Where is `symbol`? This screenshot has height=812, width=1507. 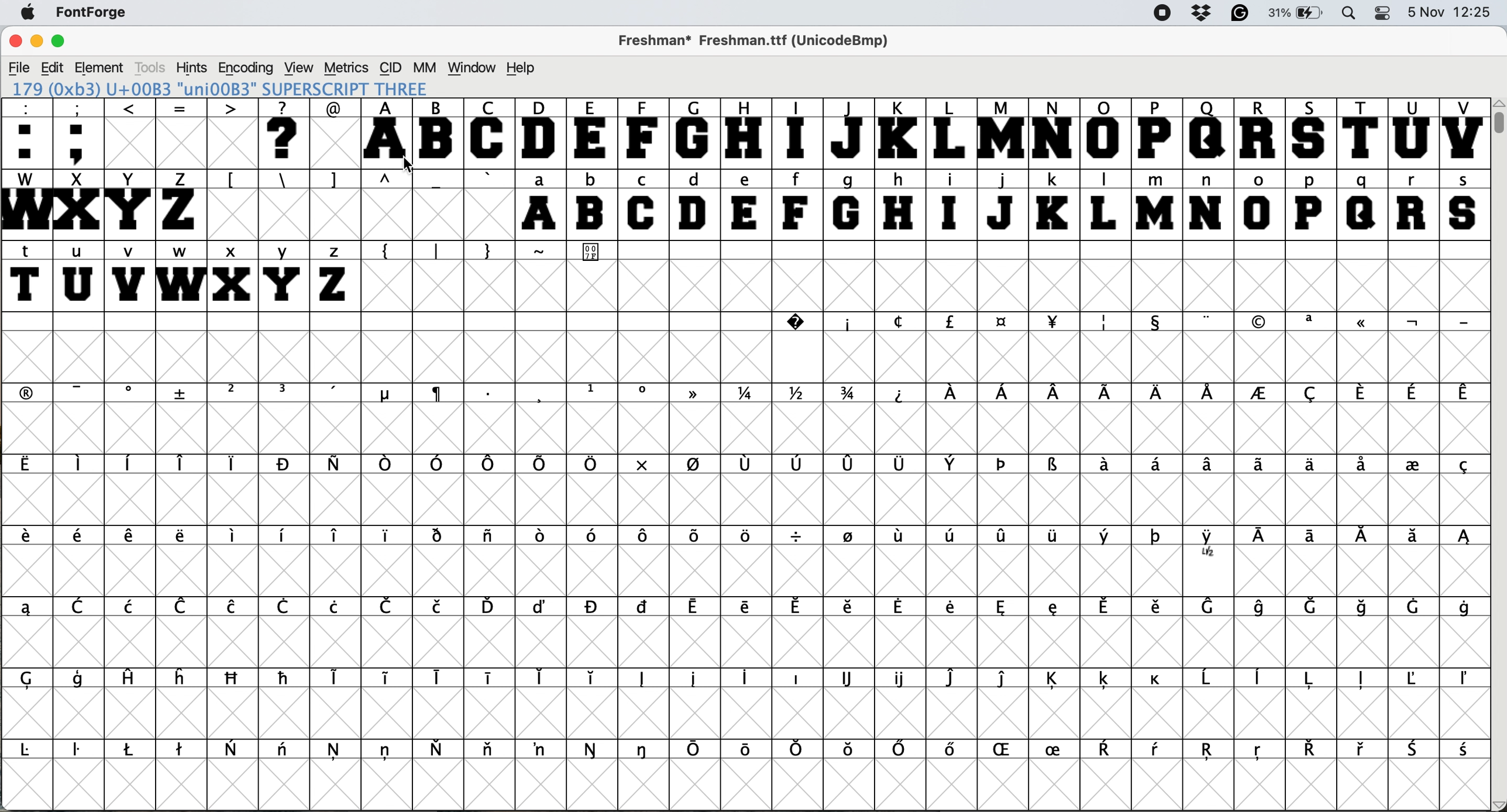 symbol is located at coordinates (1312, 679).